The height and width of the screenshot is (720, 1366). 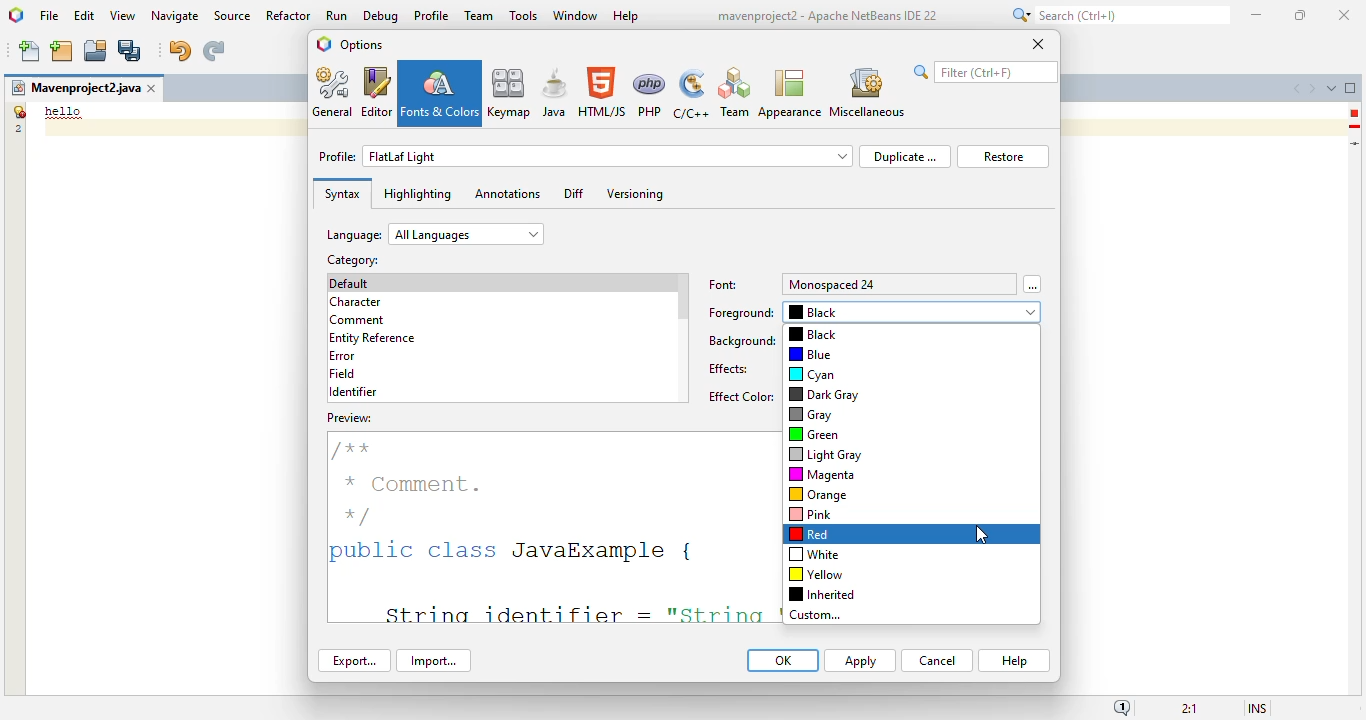 What do you see at coordinates (1003, 157) in the screenshot?
I see `restore` at bounding box center [1003, 157].